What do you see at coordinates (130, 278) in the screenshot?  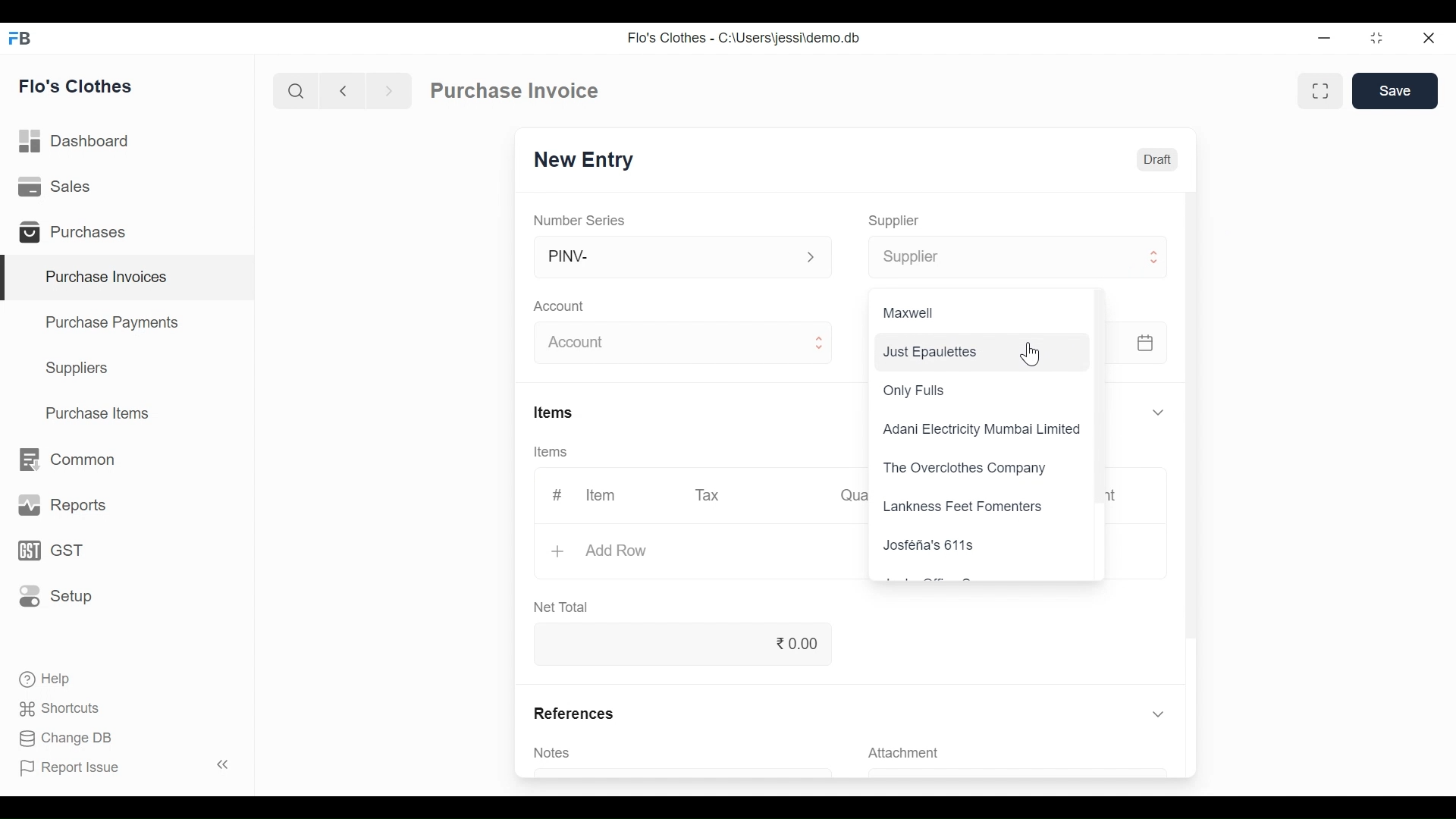 I see `Purchase Invoices` at bounding box center [130, 278].